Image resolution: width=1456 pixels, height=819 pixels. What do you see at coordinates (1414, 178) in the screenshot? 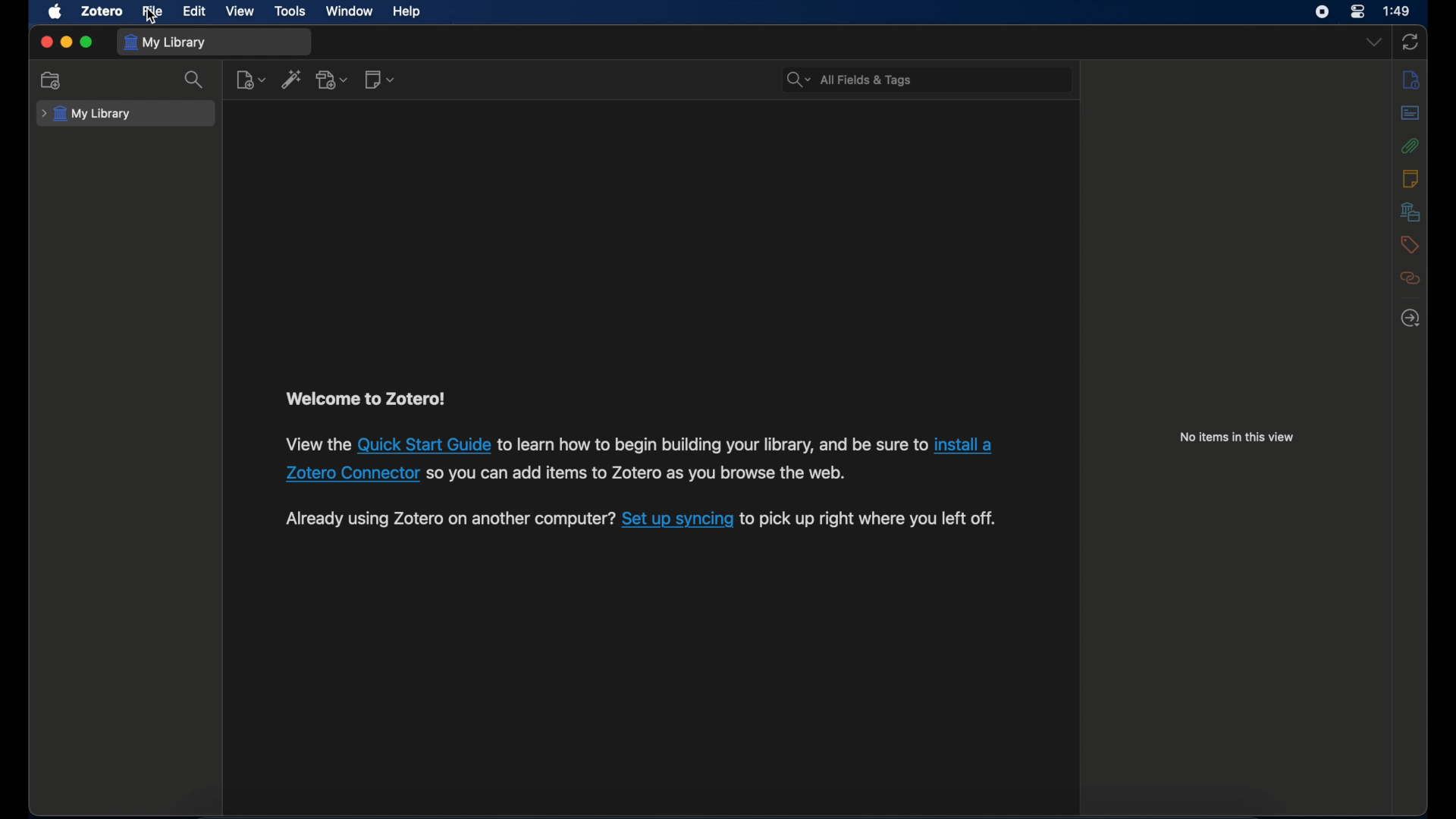
I see `notes` at bounding box center [1414, 178].